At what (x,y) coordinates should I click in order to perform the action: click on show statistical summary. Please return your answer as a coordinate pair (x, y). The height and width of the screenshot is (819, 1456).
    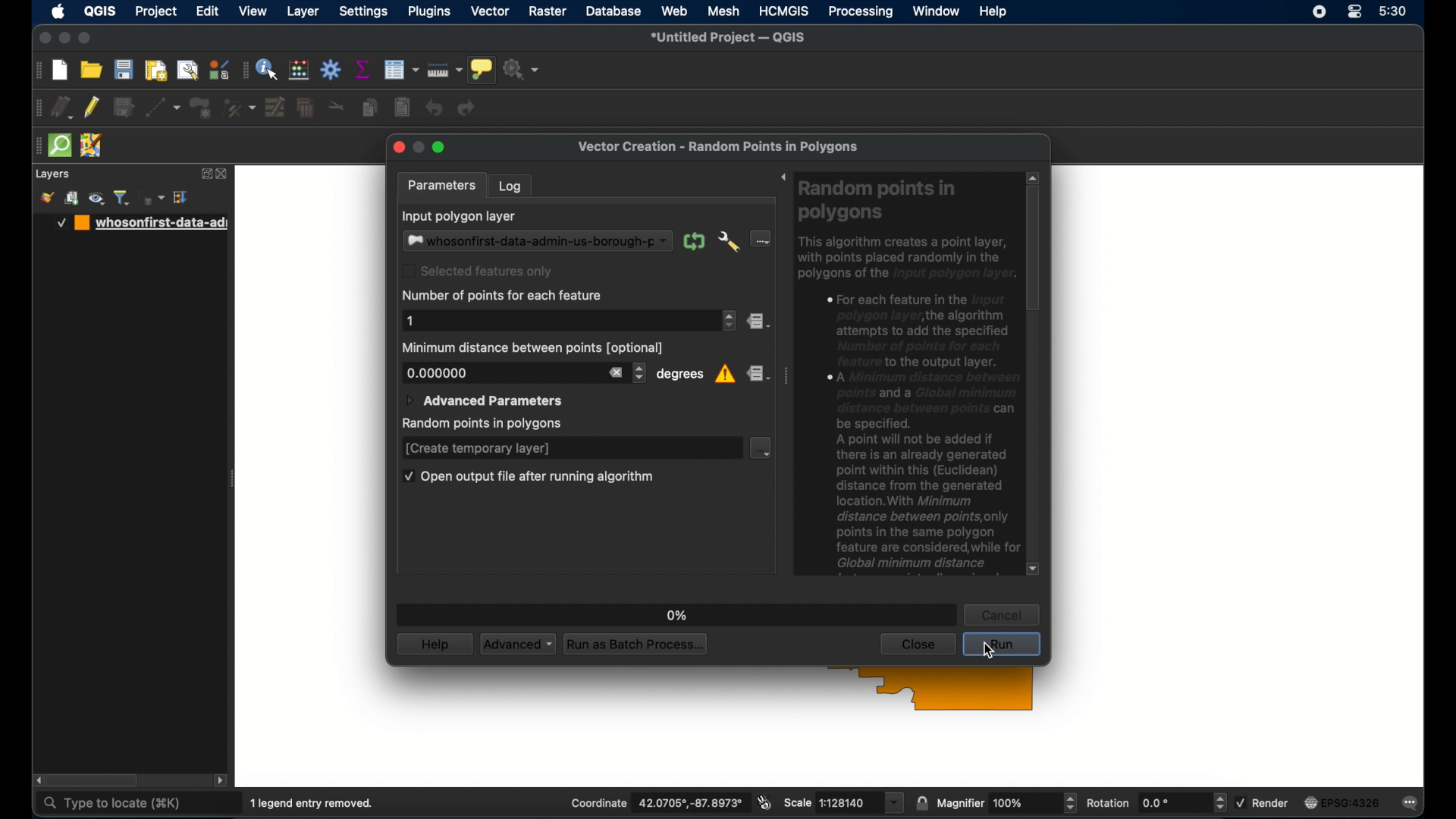
    Looking at the image, I should click on (362, 69).